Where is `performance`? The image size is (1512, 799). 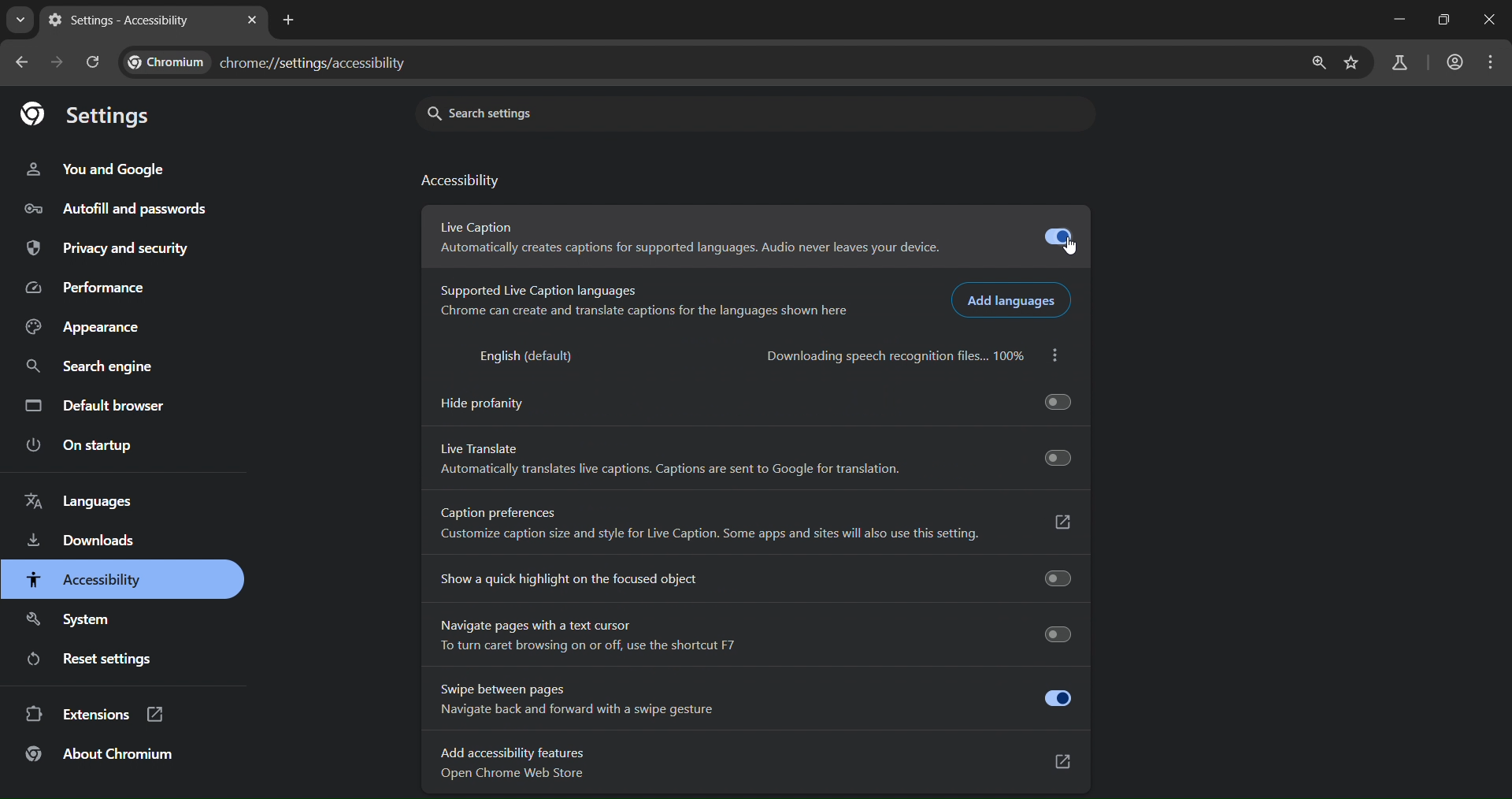 performance is located at coordinates (83, 285).